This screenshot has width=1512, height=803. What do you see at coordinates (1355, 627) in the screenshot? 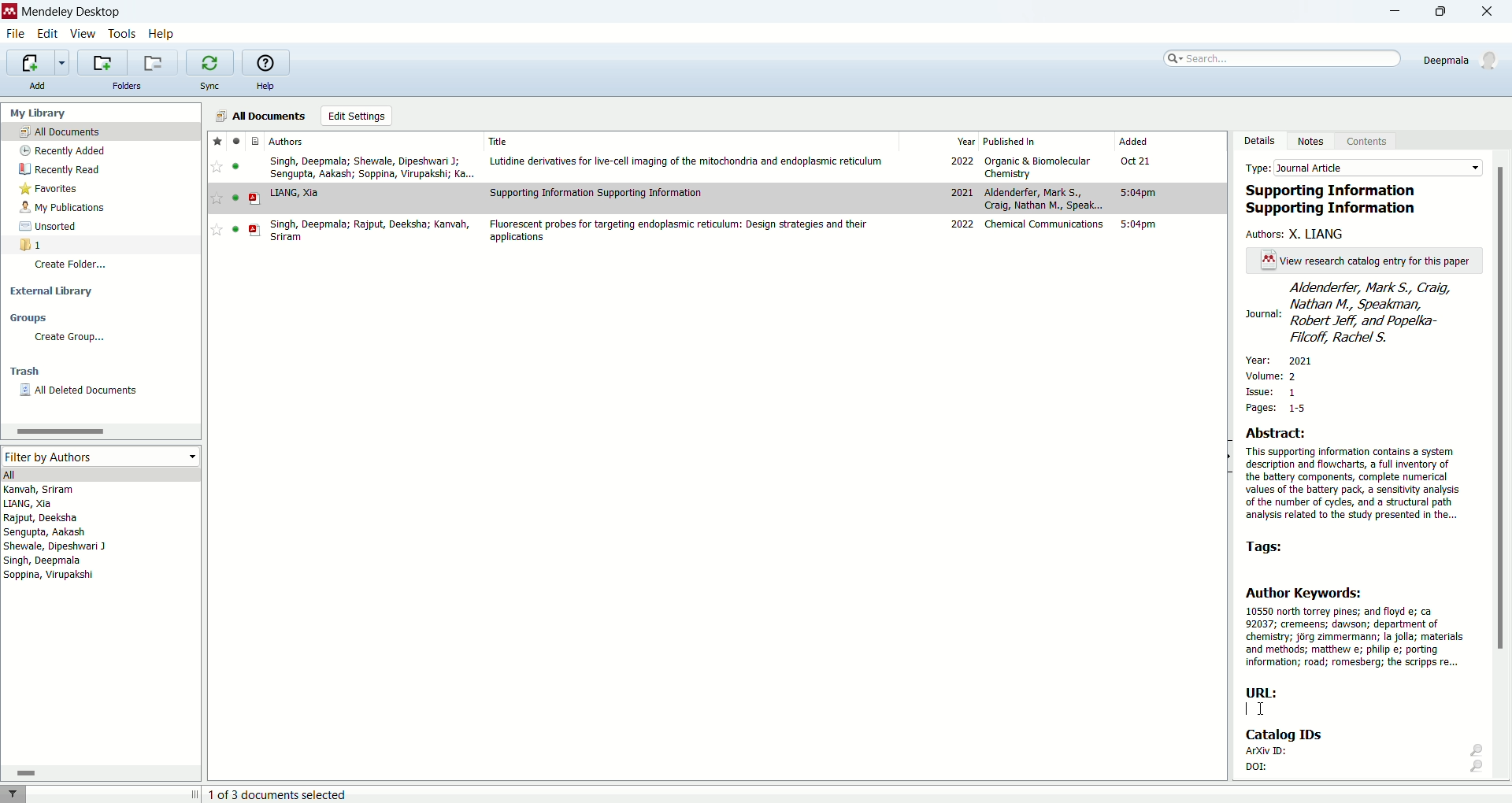
I see `Author Keywords:10550 north torrey pines; and floyd e; ca92037; cremeens; dawson; department of chemistry; jorg Zimmermann; la jolla; materials and methods; matthew e; philip e; porting information; road; romesberg; the scripps re...` at bounding box center [1355, 627].